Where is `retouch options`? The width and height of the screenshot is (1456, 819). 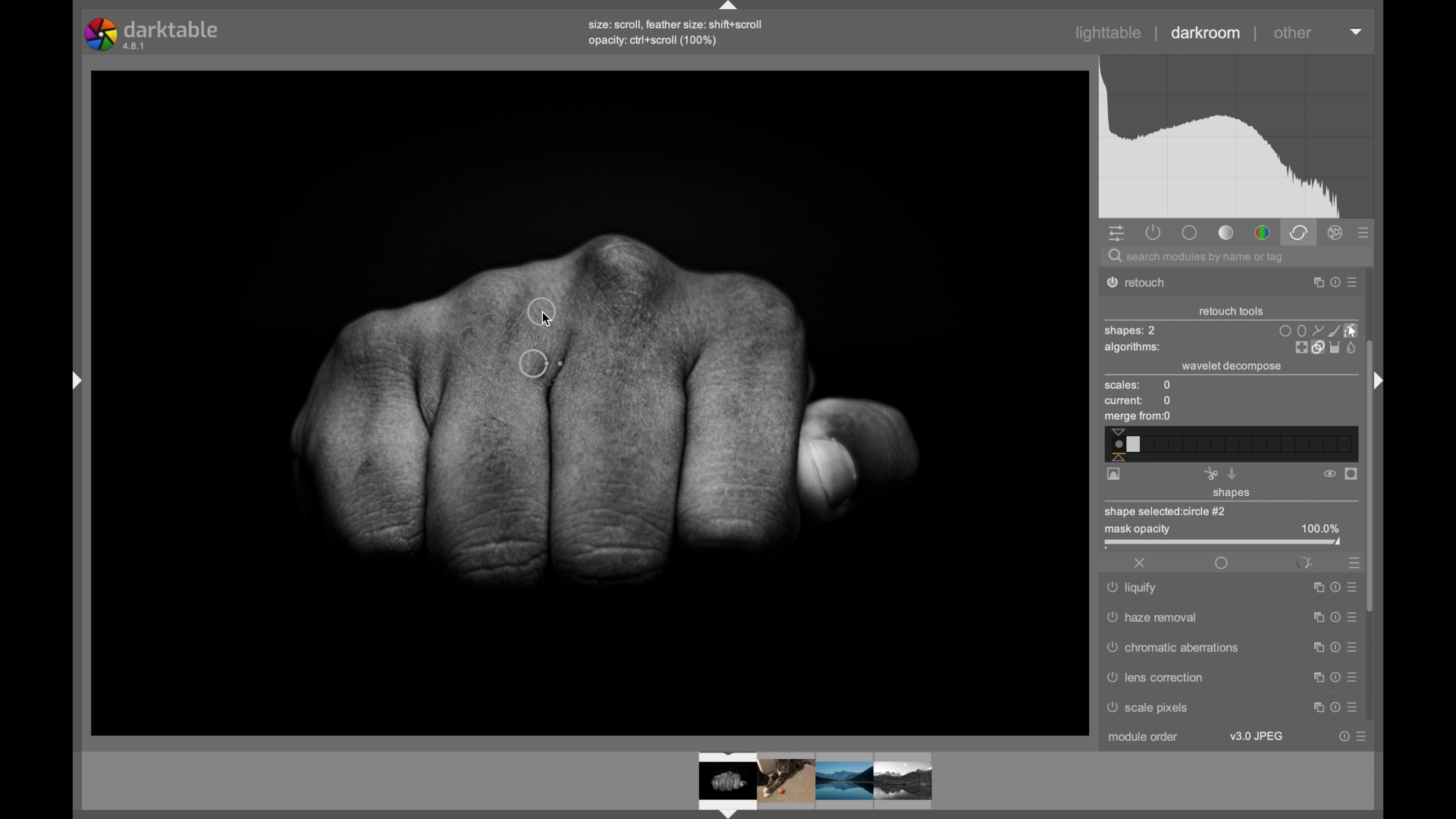
retouch options is located at coordinates (1324, 348).